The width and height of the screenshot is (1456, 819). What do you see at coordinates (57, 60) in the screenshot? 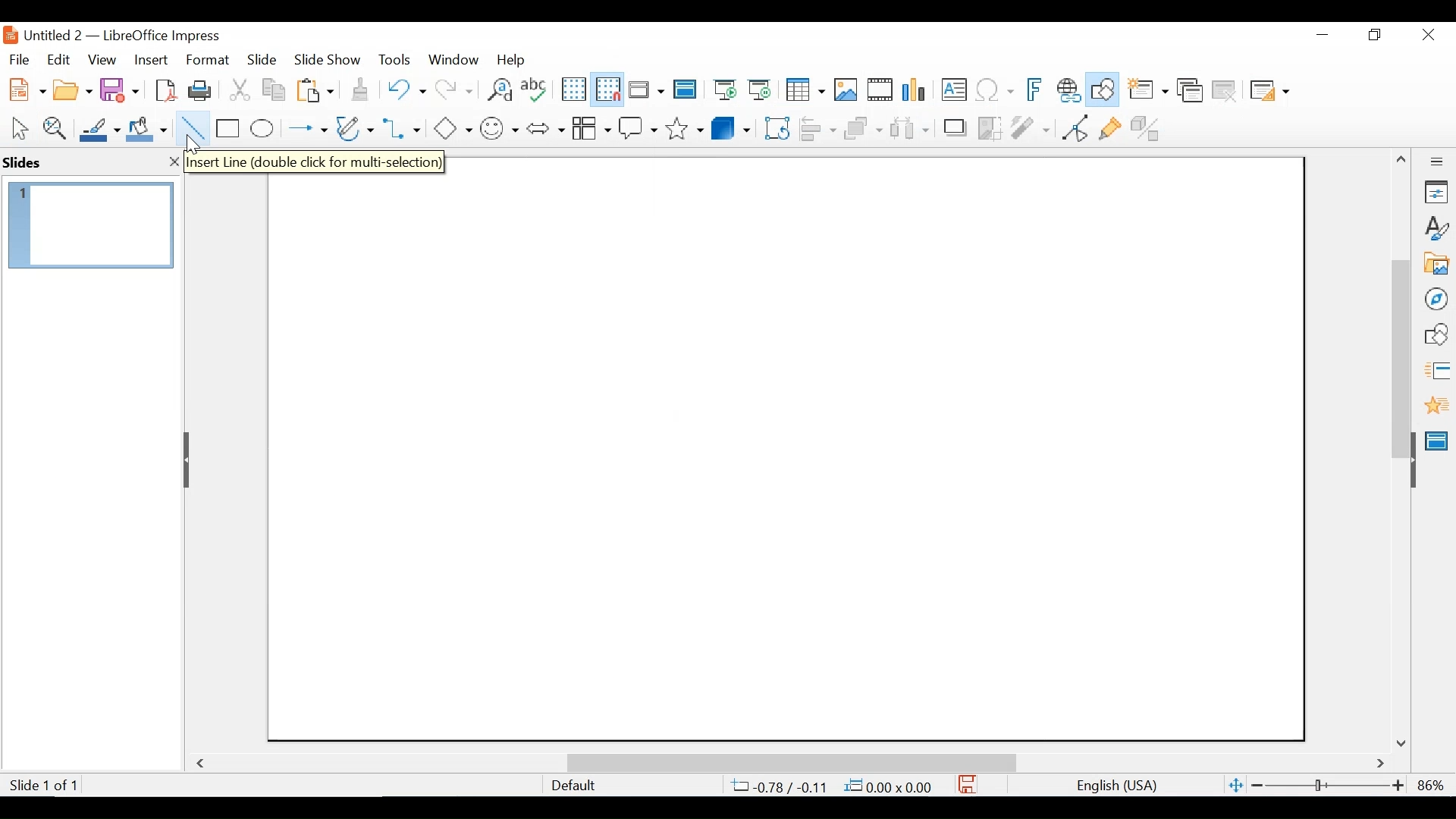
I see `Edit` at bounding box center [57, 60].